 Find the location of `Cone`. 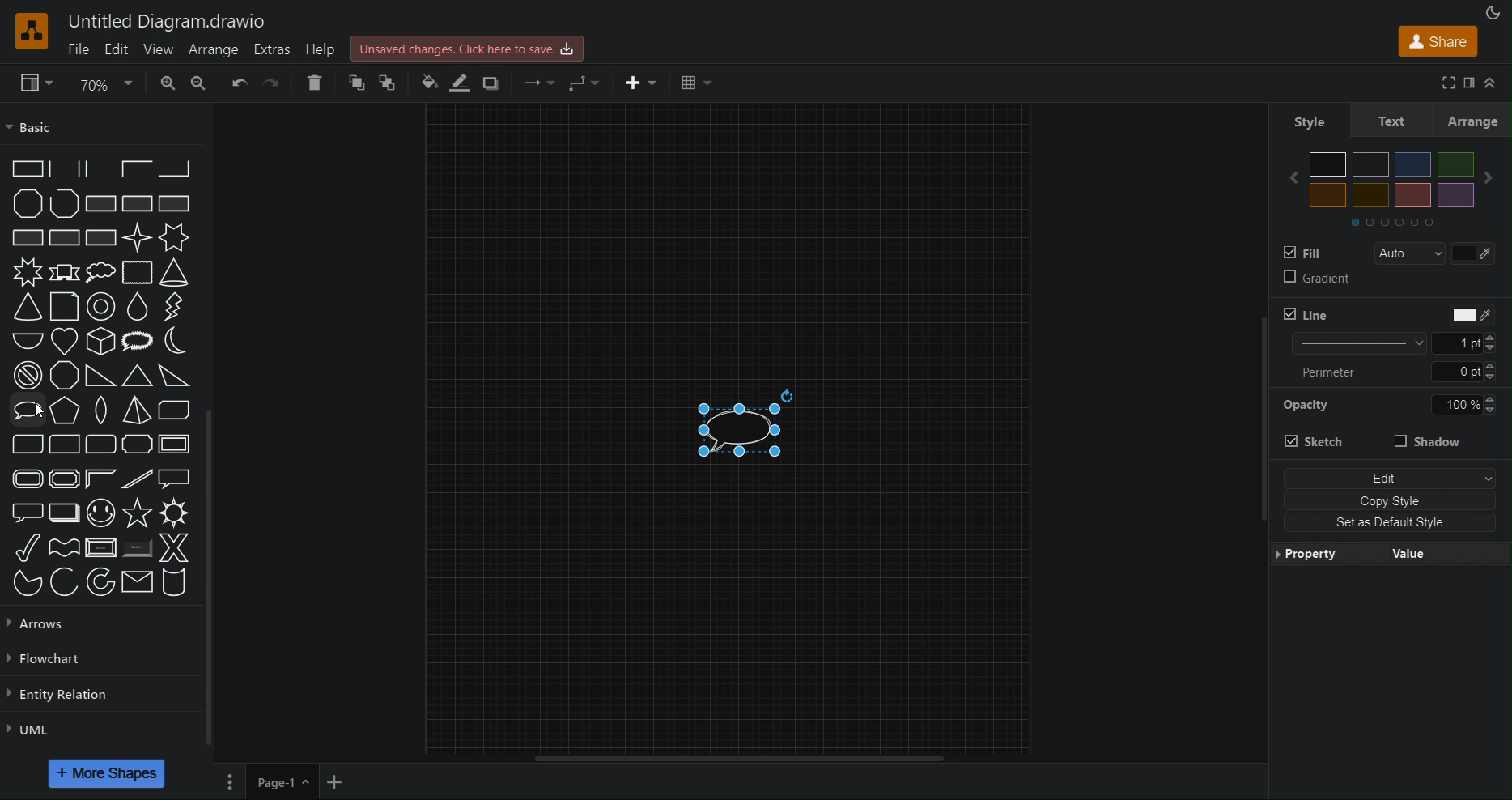

Cone is located at coordinates (175, 272).